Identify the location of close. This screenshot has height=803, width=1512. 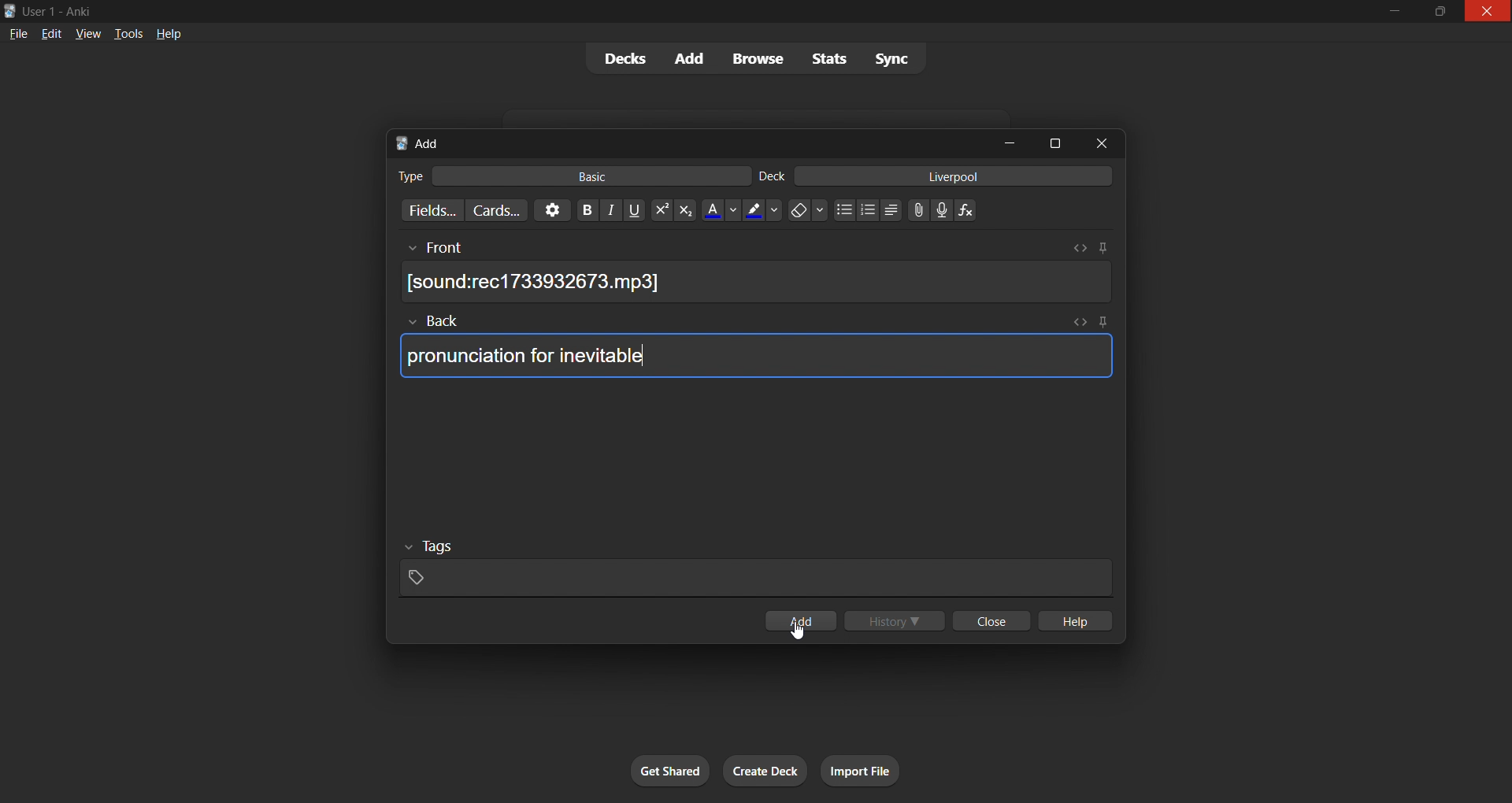
(992, 621).